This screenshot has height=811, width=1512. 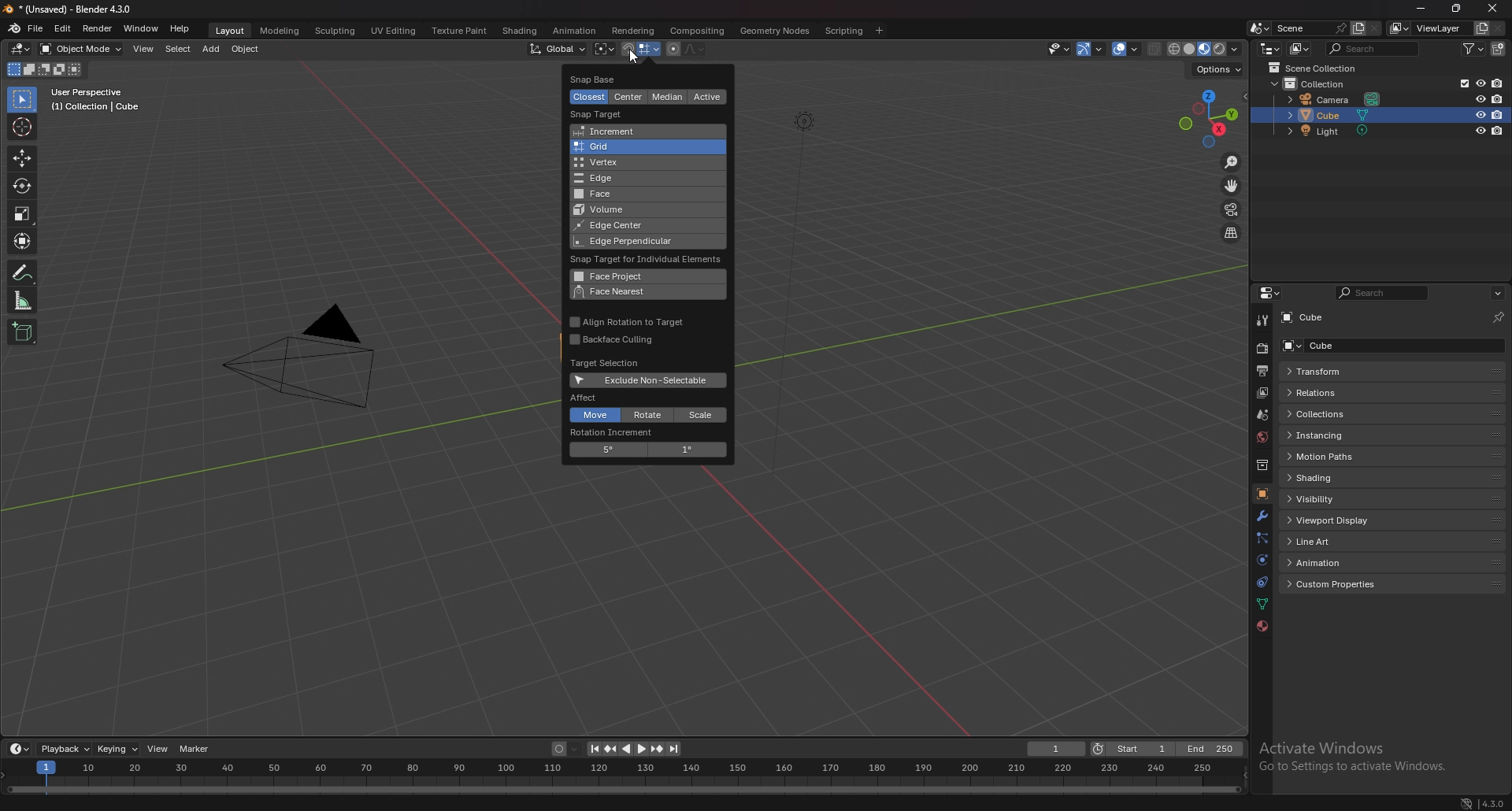 What do you see at coordinates (656, 749) in the screenshot?
I see `jump to last keyframe` at bounding box center [656, 749].